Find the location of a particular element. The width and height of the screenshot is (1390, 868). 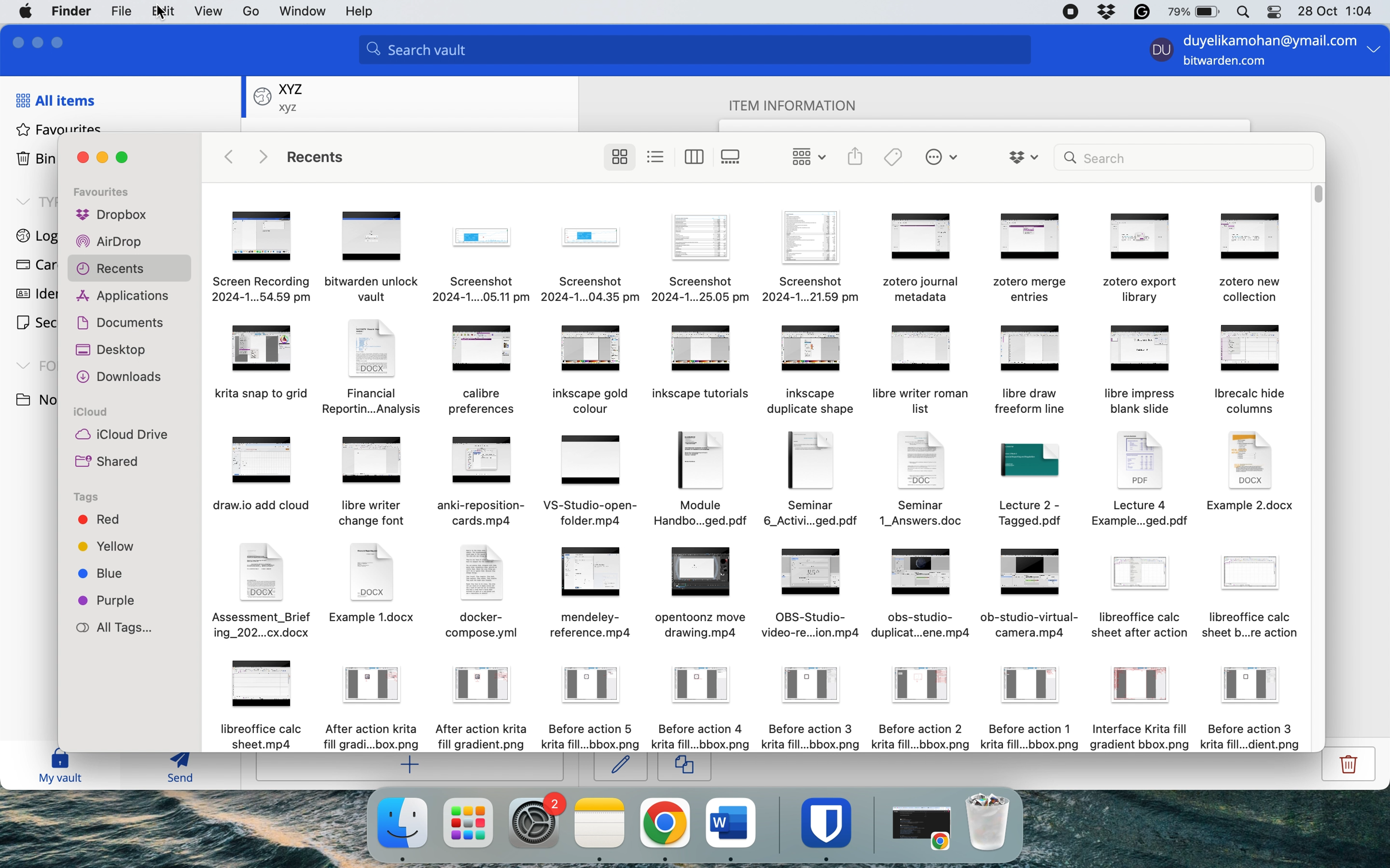

blue tag is located at coordinates (104, 575).